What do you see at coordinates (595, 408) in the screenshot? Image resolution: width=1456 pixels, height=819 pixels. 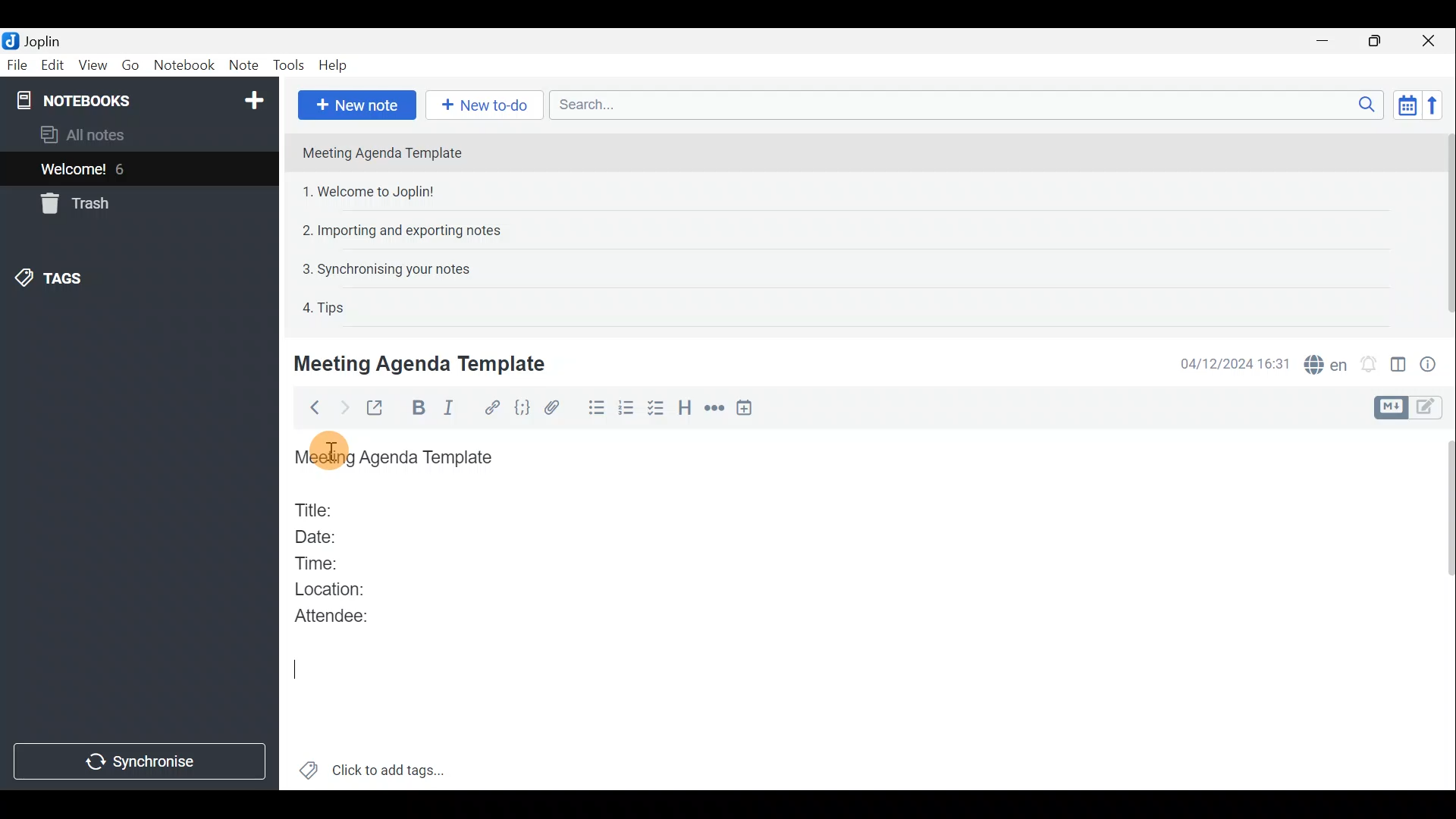 I see `Bulleted list` at bounding box center [595, 408].